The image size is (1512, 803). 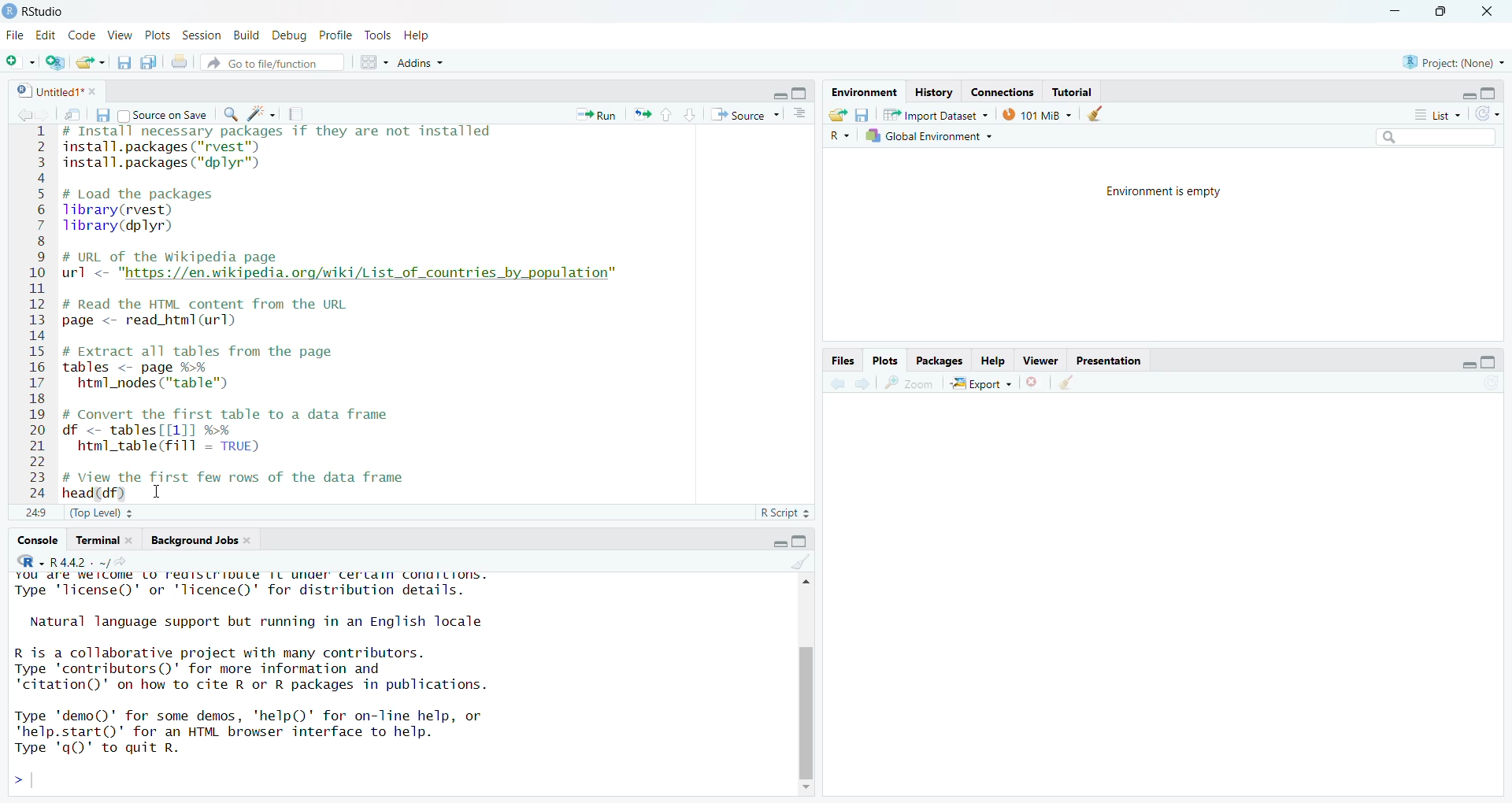 I want to click on Presentation, so click(x=1107, y=360).